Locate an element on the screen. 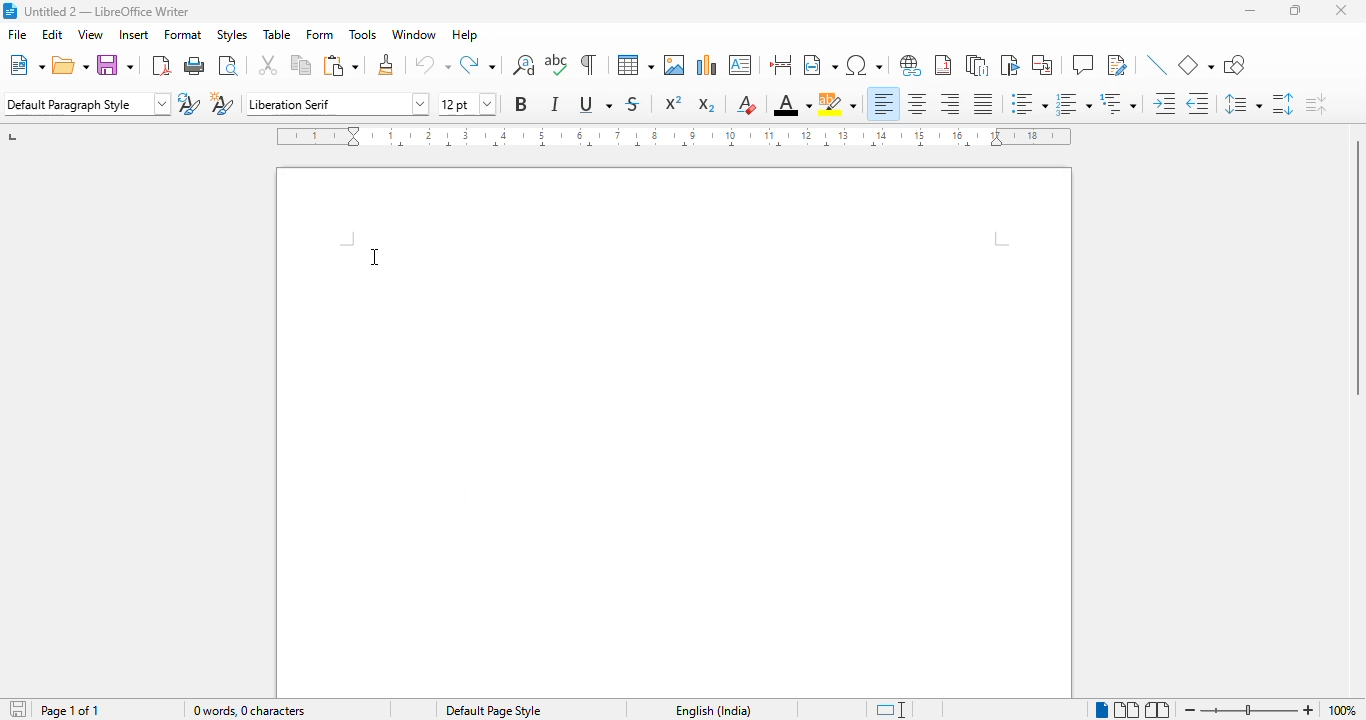  vertical scroll bar is located at coordinates (1354, 268).